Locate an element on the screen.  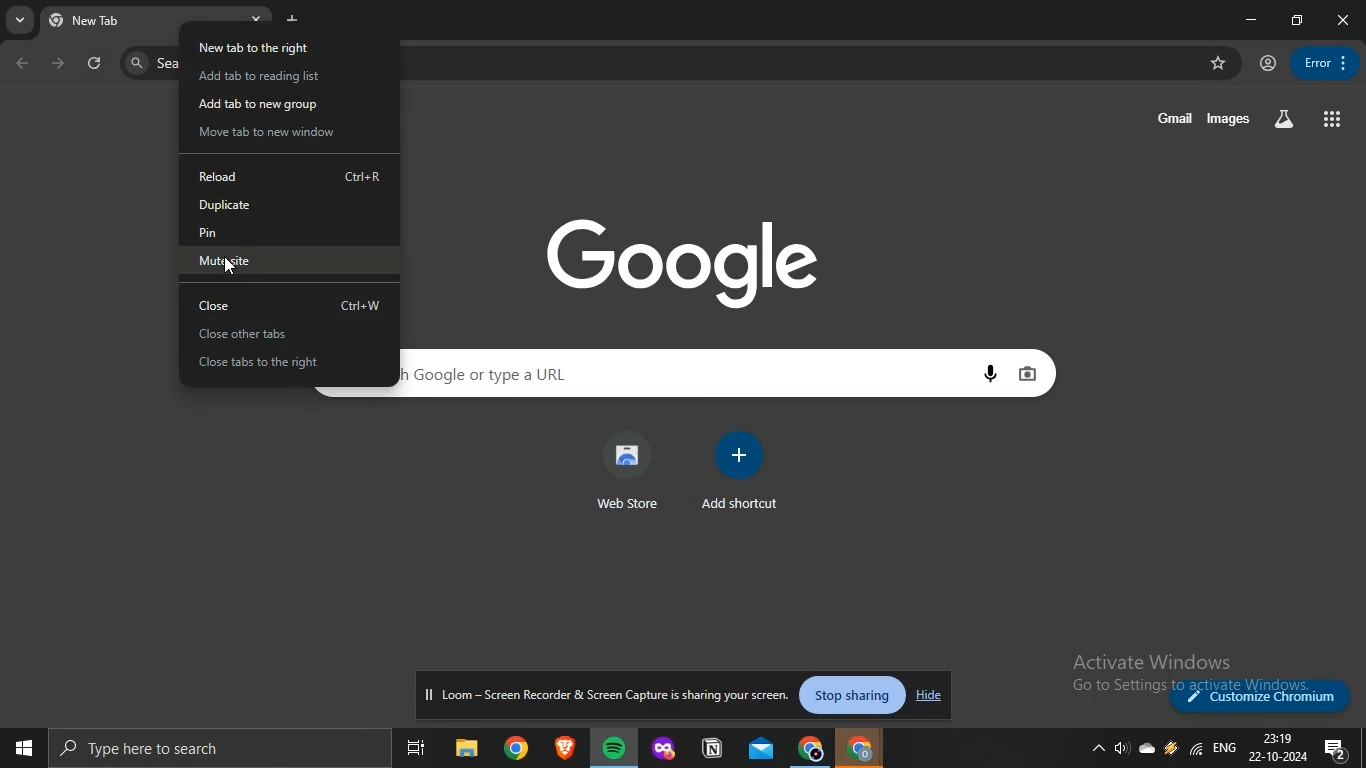
close is located at coordinates (289, 306).